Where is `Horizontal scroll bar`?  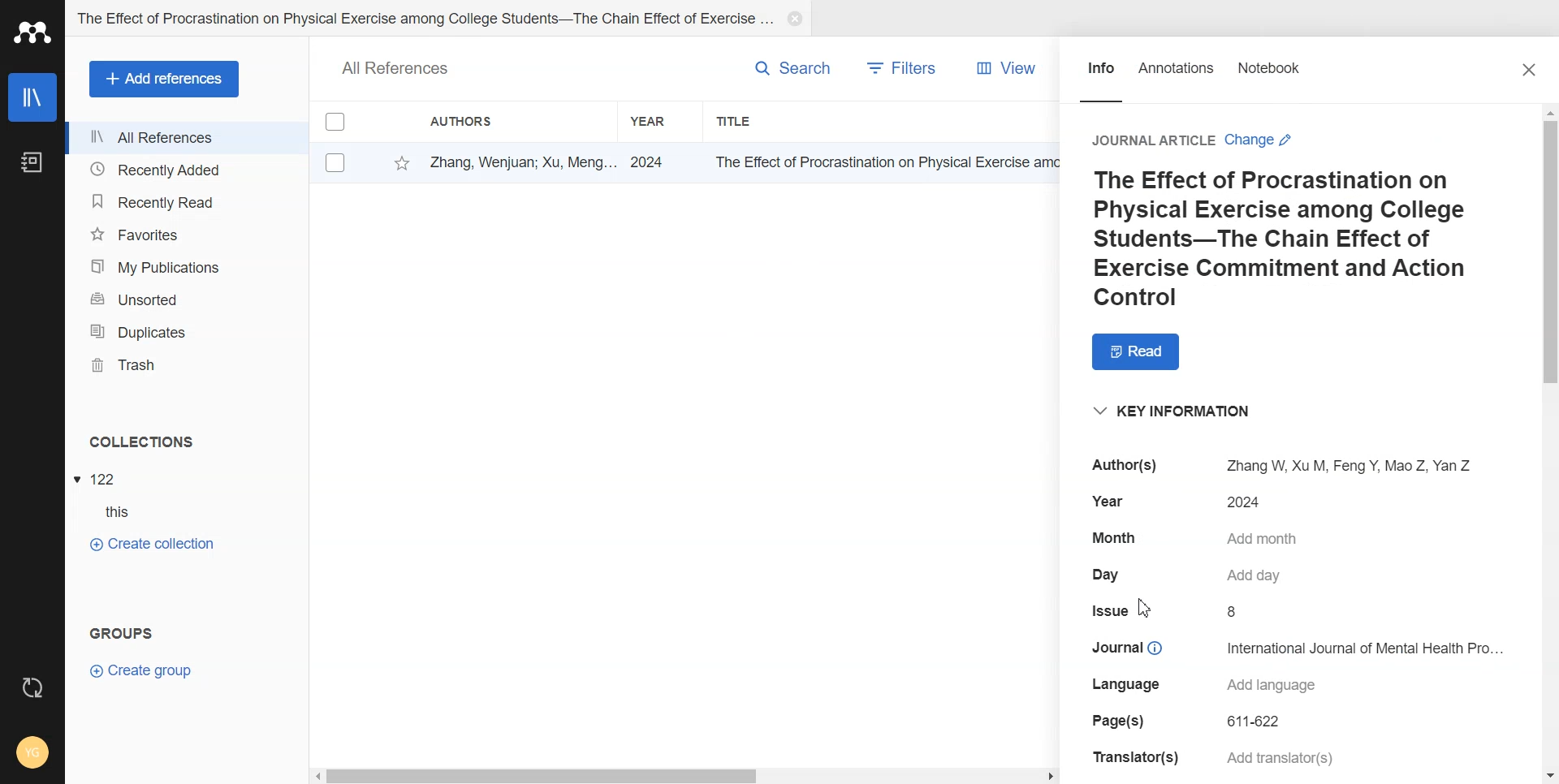
Horizontal scroll bar is located at coordinates (687, 775).